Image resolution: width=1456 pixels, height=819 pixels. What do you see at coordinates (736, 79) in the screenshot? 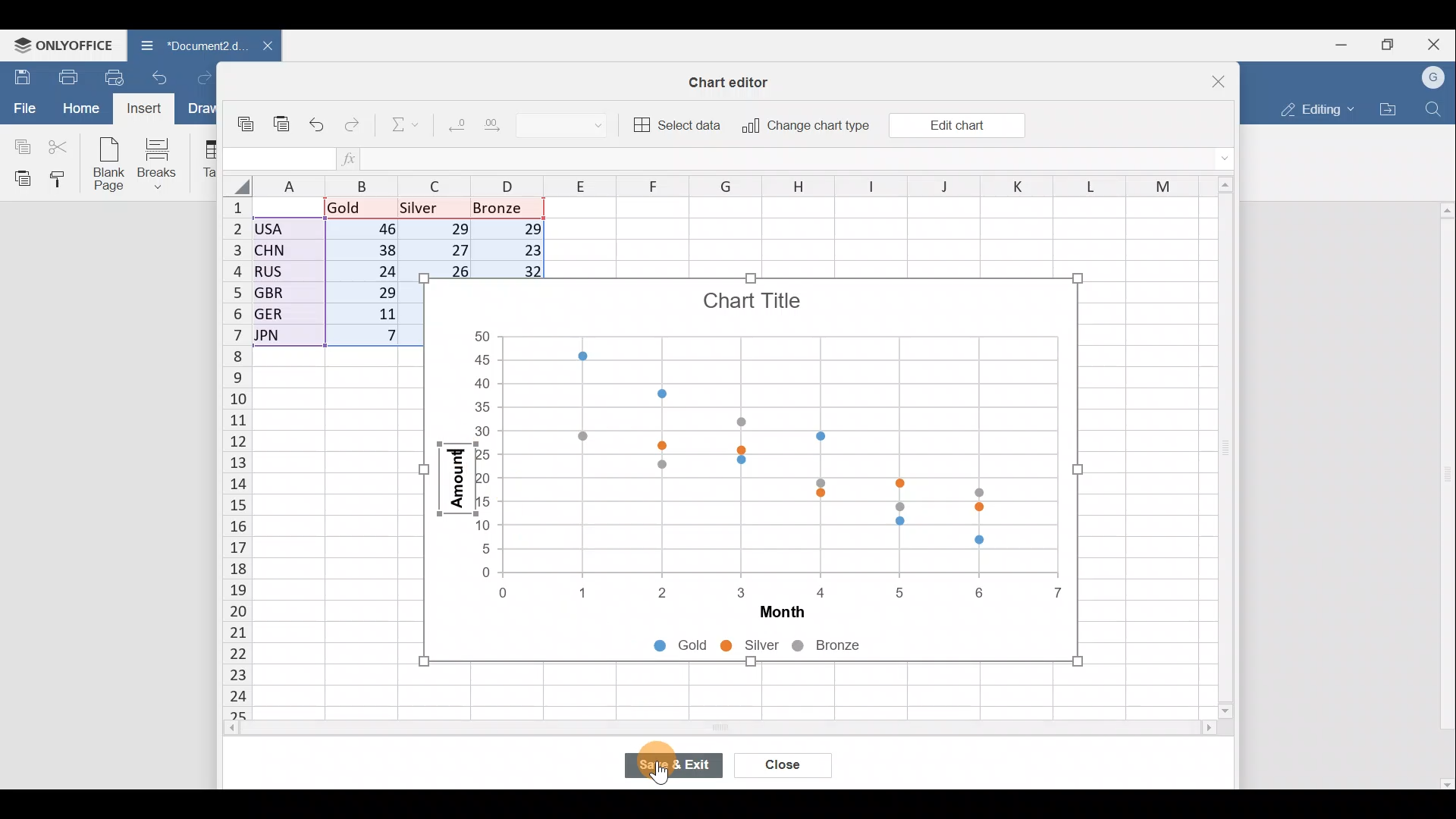
I see `Chart editor` at bounding box center [736, 79].